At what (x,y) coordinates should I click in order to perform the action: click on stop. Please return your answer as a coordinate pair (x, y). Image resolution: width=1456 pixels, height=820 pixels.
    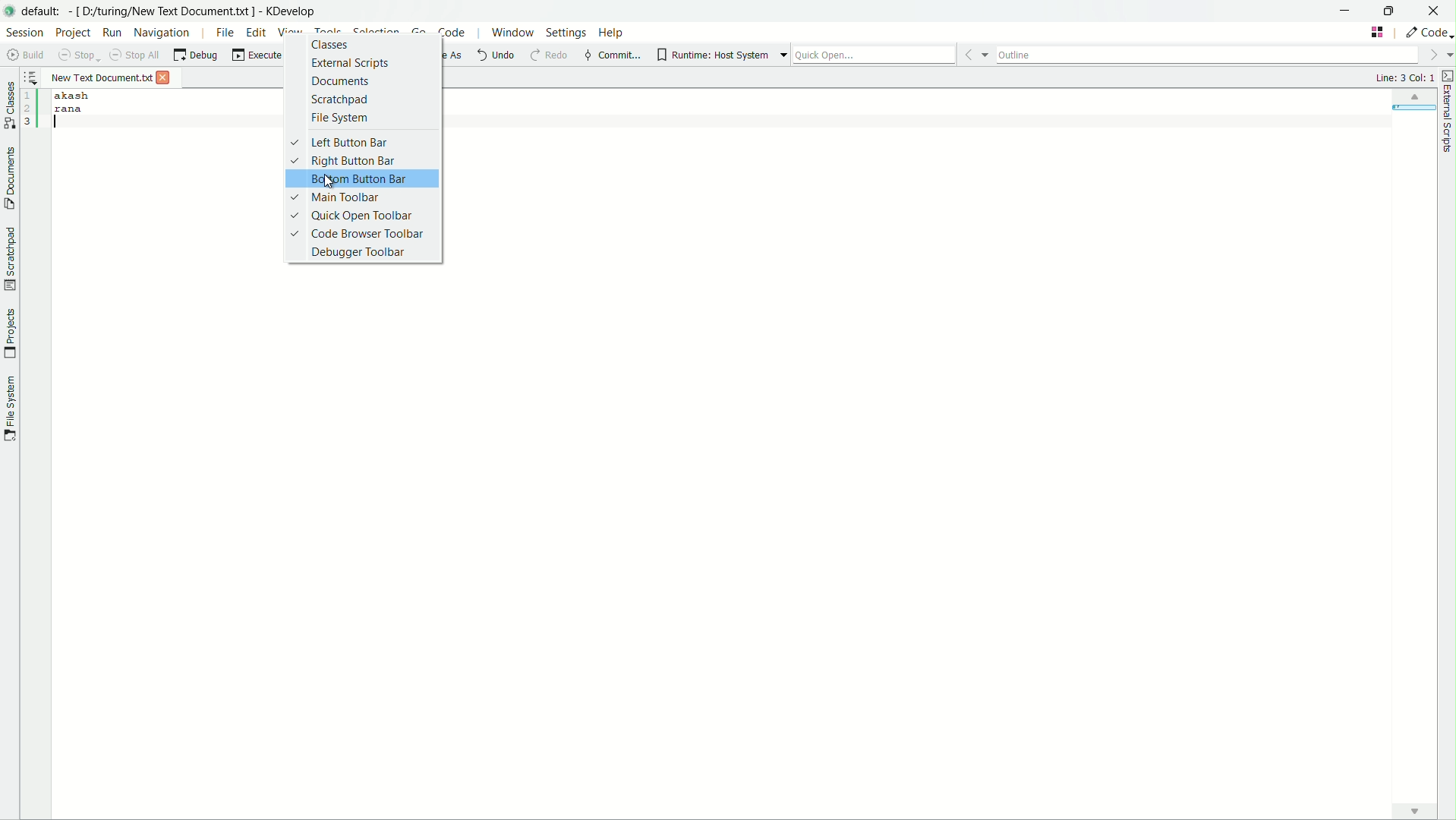
    Looking at the image, I should click on (80, 55).